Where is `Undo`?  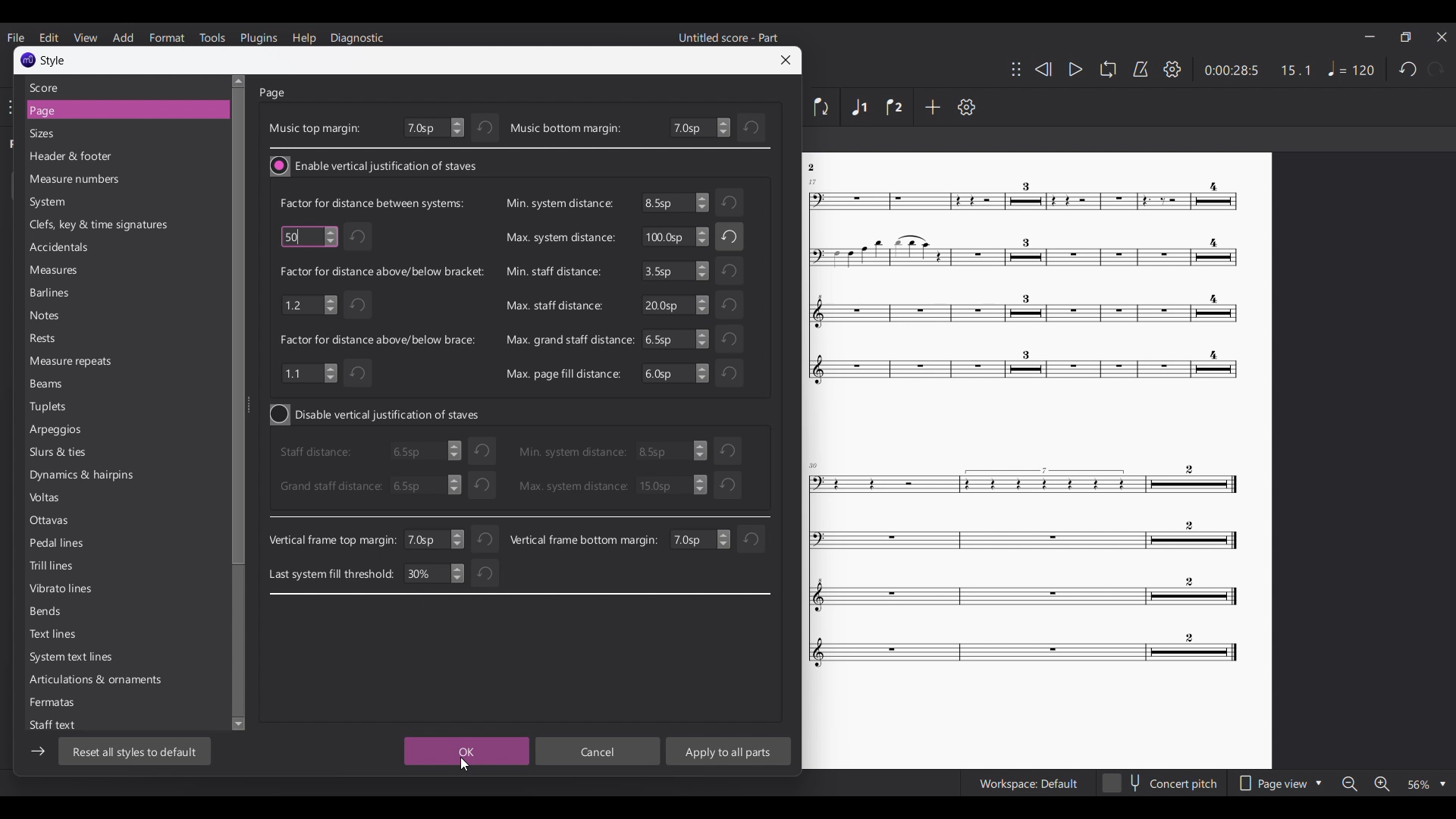 Undo is located at coordinates (732, 237).